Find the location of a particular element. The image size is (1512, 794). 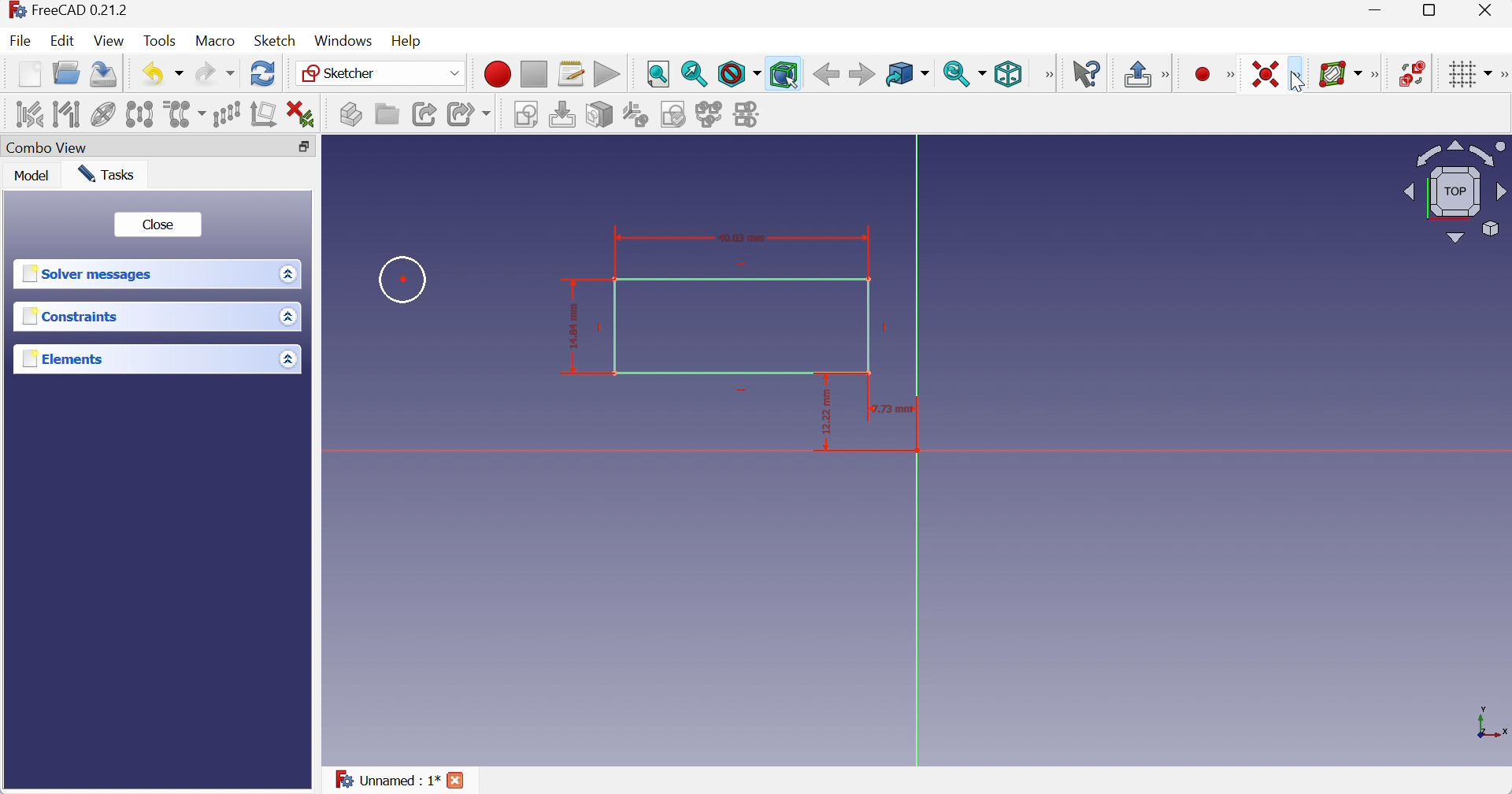

Fit selection  is located at coordinates (695, 73).